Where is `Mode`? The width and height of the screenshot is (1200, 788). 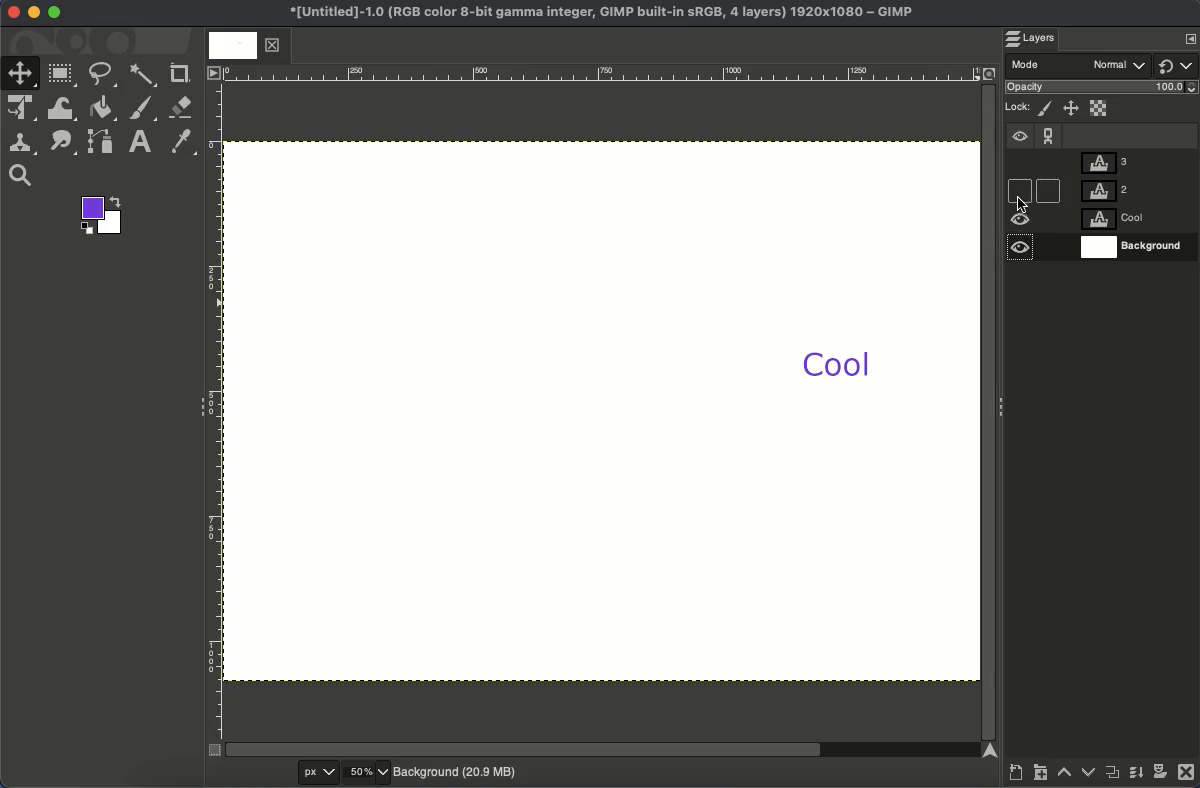
Mode is located at coordinates (1080, 66).